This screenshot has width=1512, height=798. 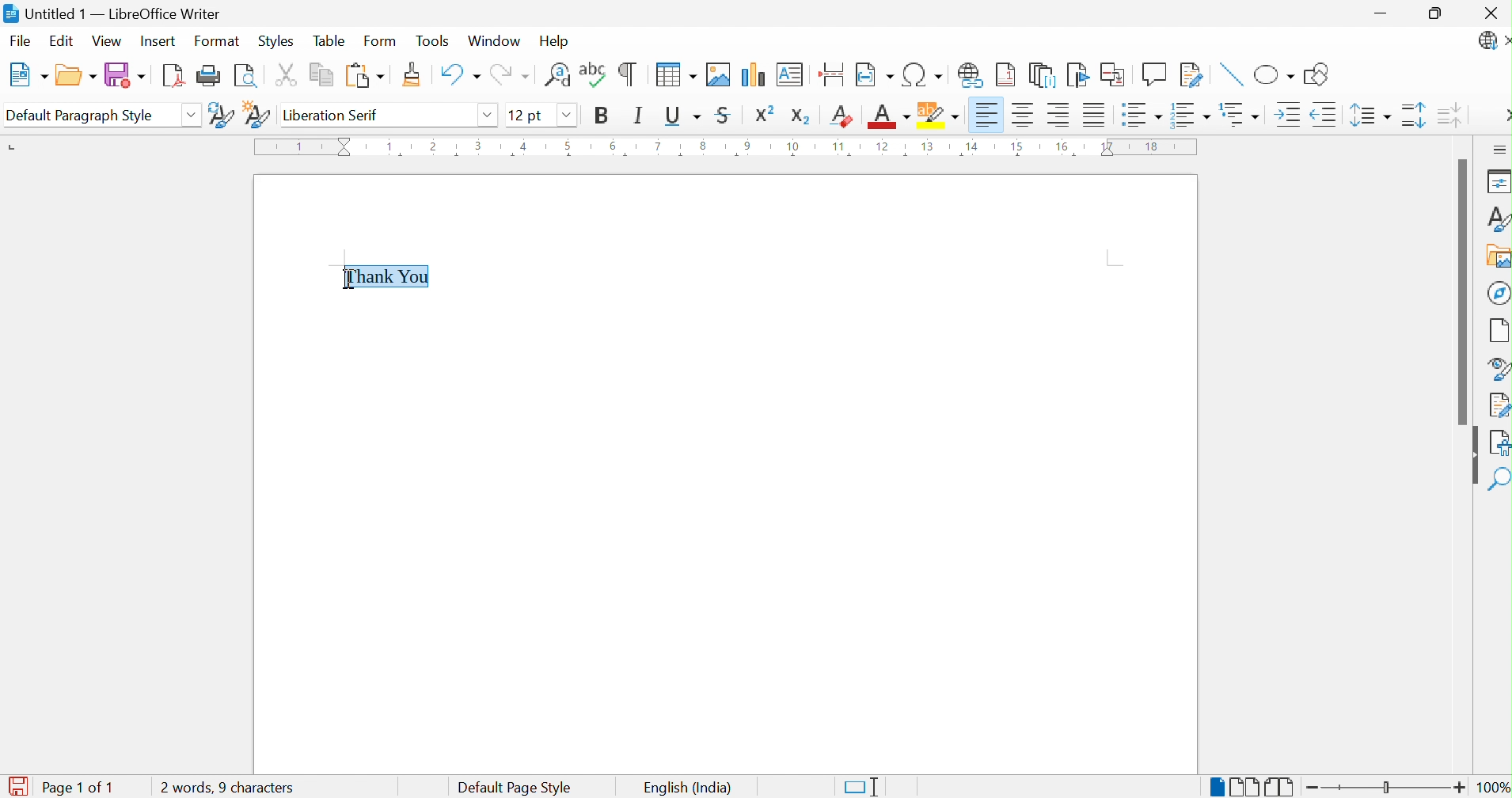 What do you see at coordinates (1313, 788) in the screenshot?
I see `Zoom Out` at bounding box center [1313, 788].